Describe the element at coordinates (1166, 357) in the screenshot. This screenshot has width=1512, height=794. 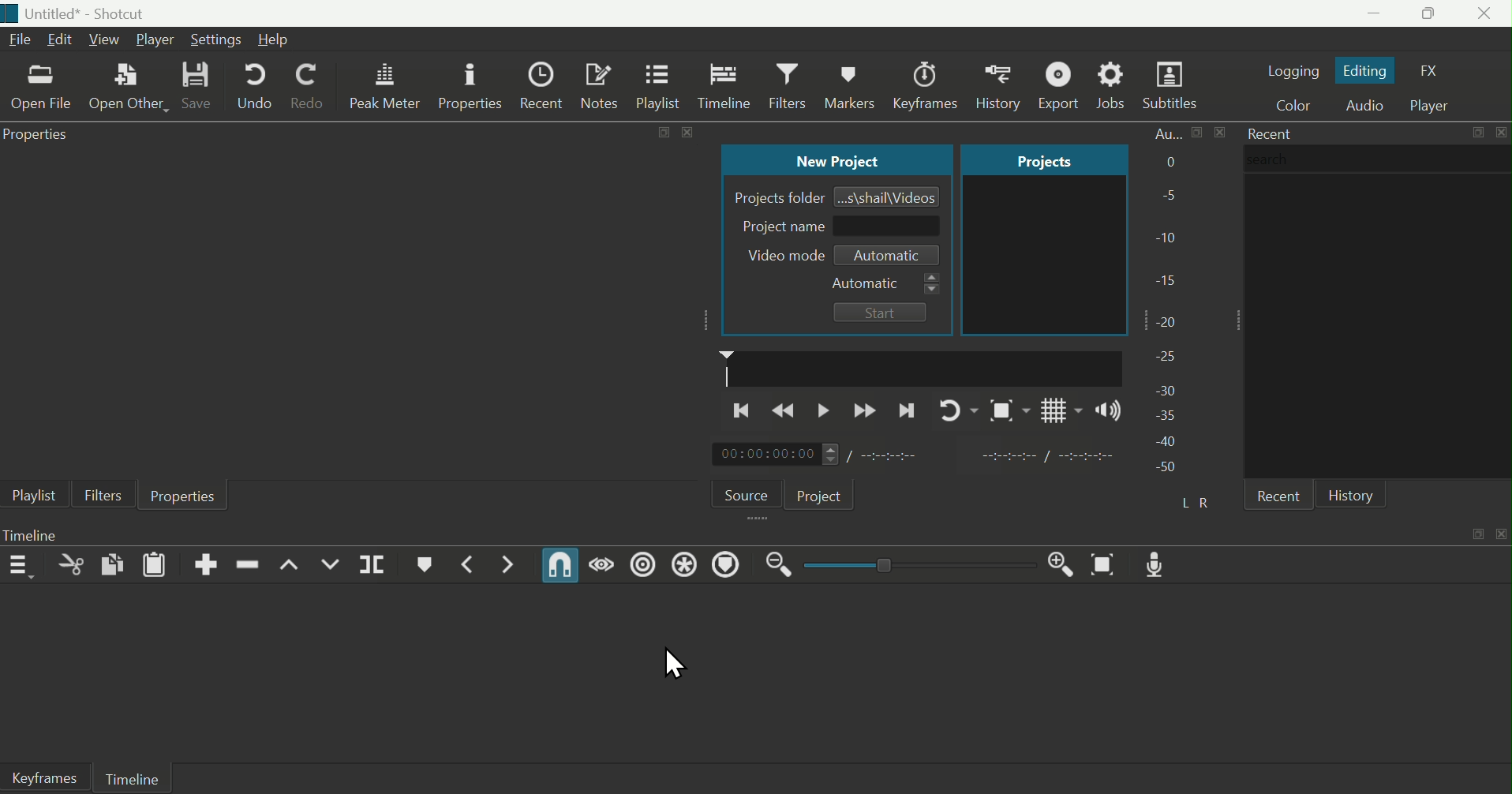
I see `-25` at that location.